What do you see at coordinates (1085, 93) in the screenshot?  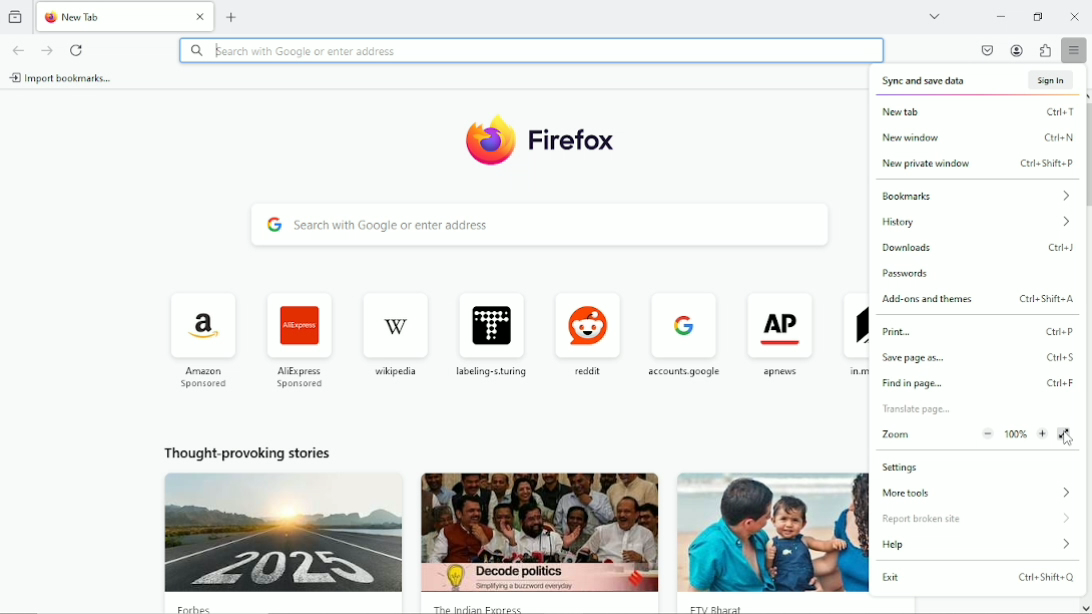 I see `scroll up` at bounding box center [1085, 93].